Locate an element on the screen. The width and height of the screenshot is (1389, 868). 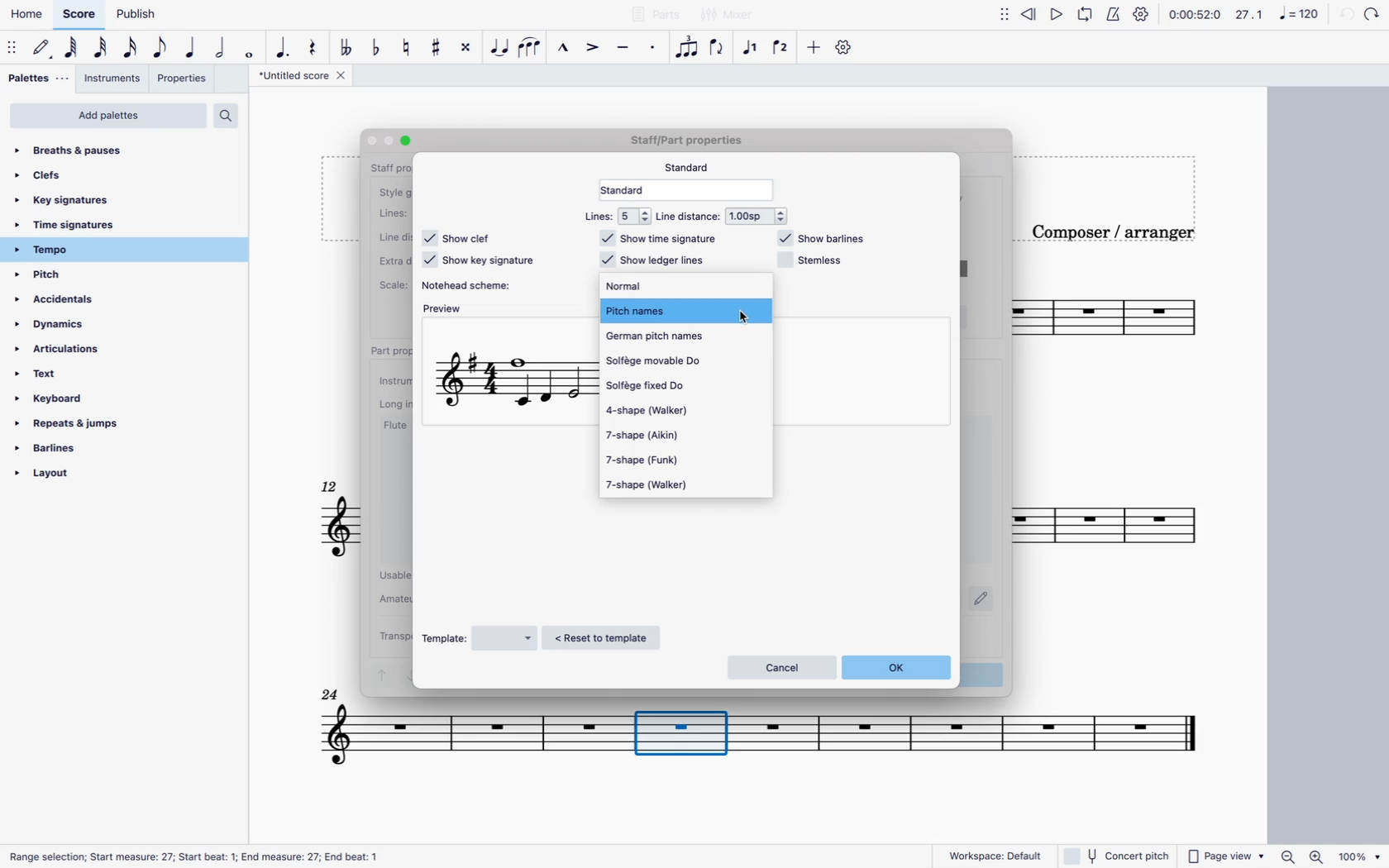
more is located at coordinates (814, 46).